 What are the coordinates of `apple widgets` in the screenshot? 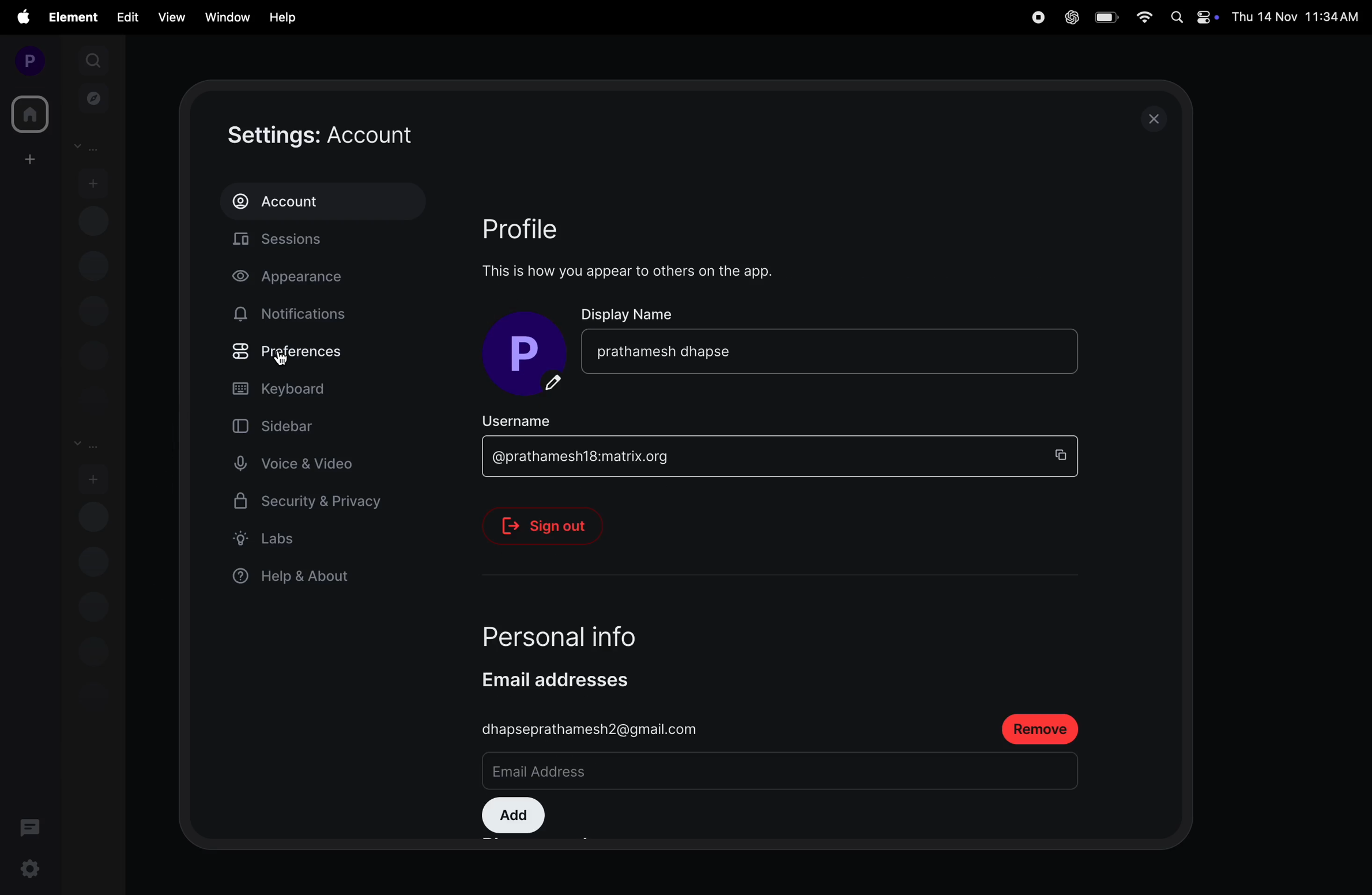 It's located at (1190, 17).